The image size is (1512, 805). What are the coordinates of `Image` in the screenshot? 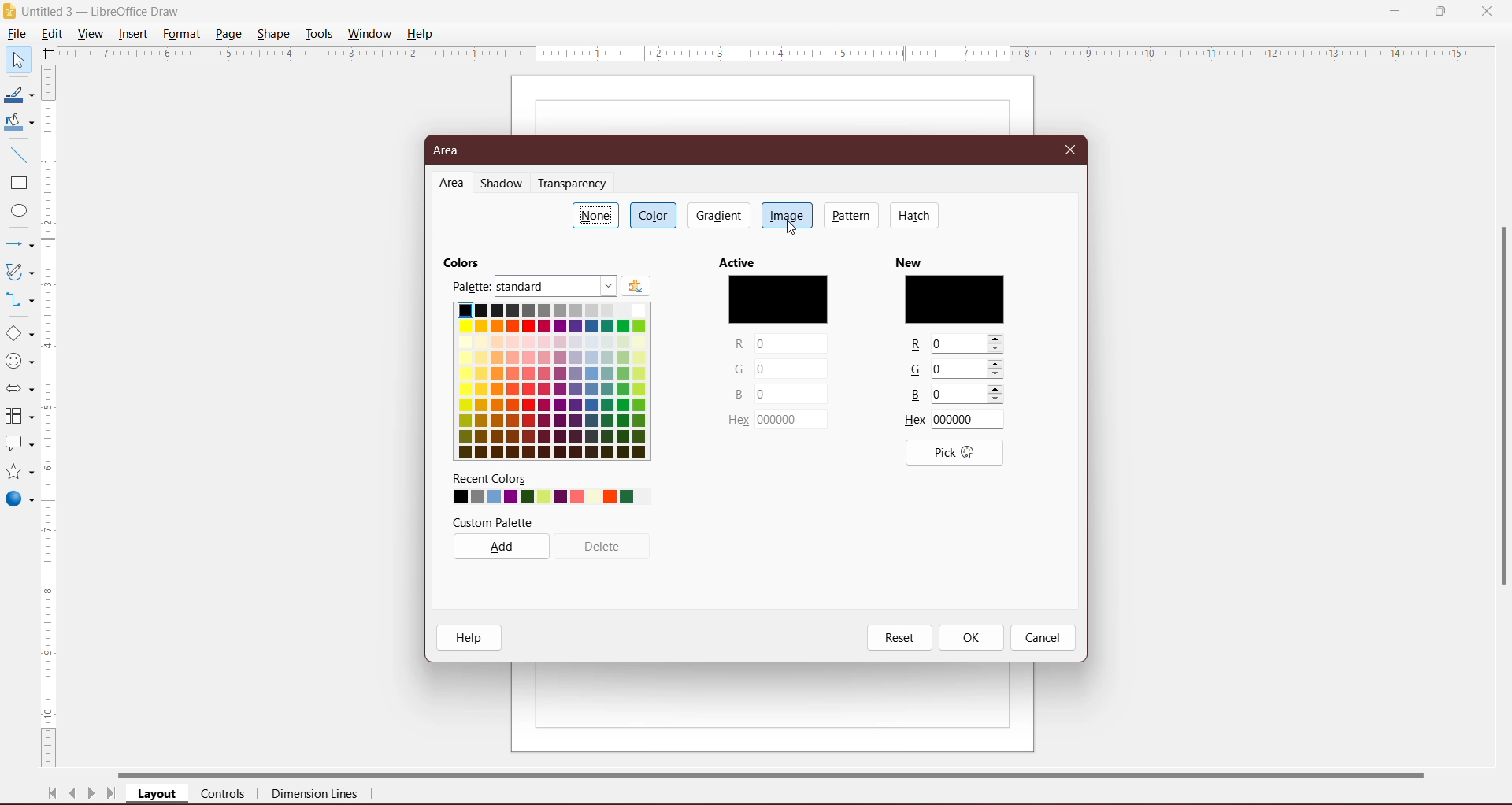 It's located at (787, 214).